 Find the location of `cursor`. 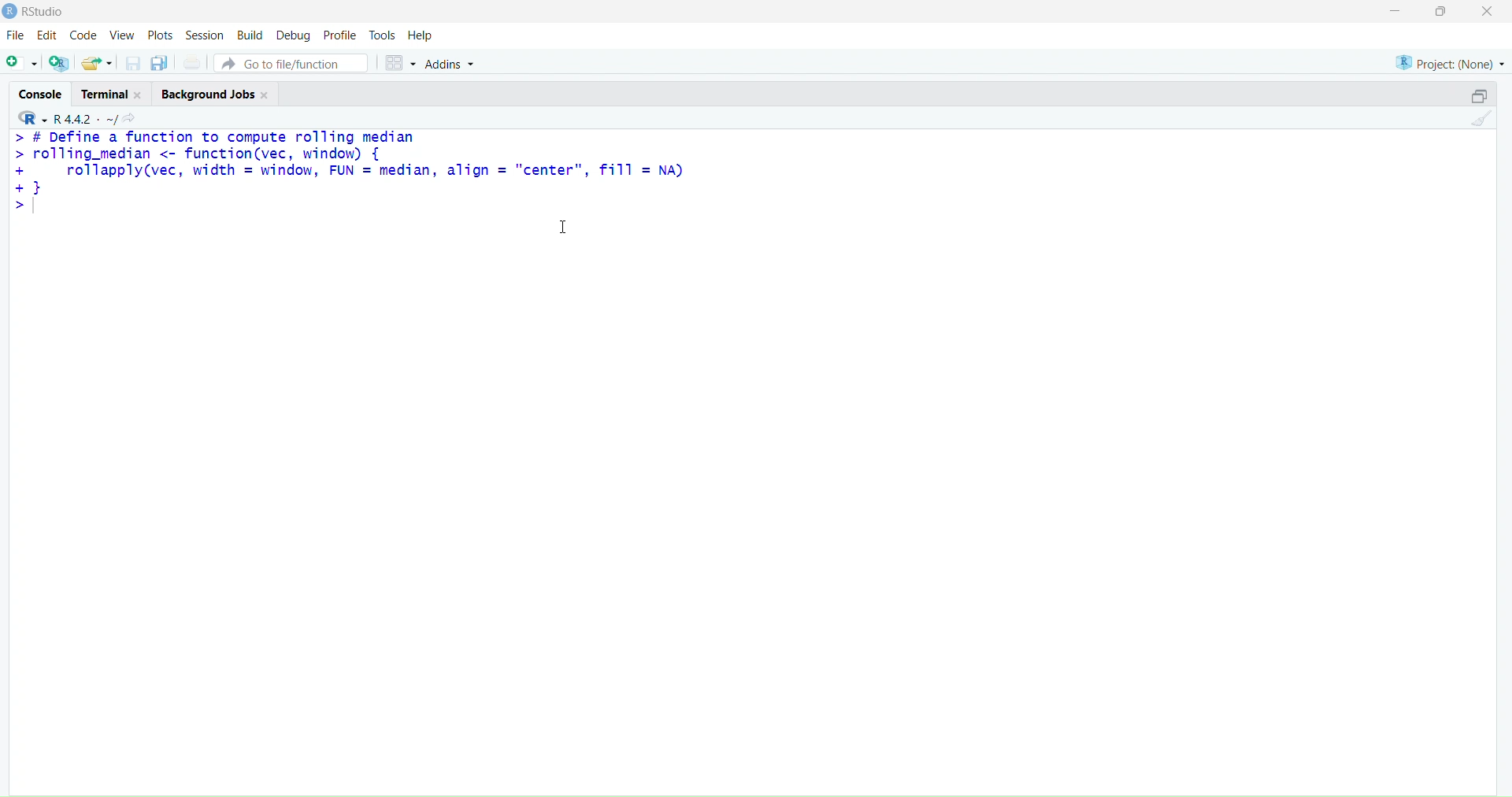

cursor is located at coordinates (564, 226).